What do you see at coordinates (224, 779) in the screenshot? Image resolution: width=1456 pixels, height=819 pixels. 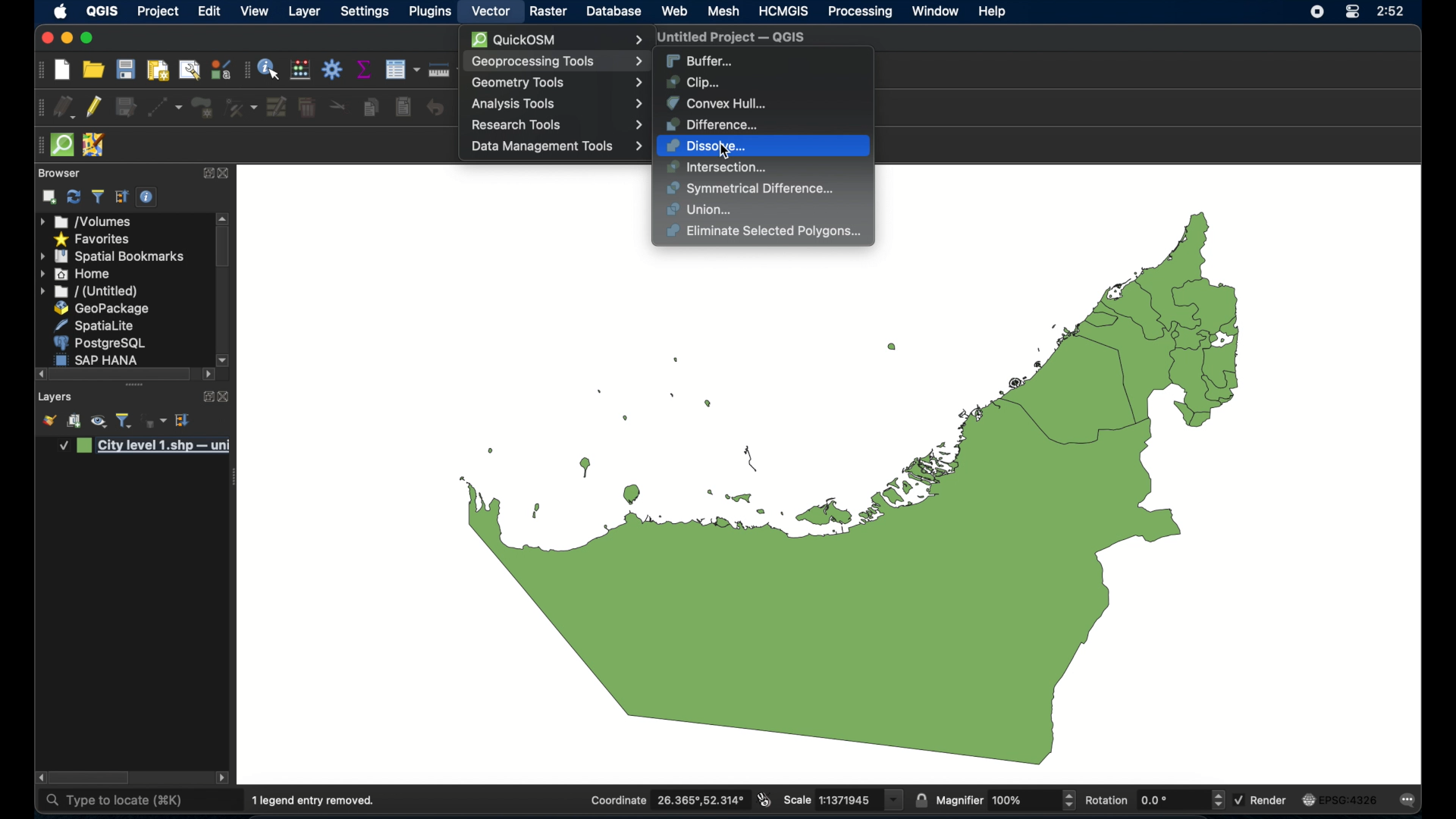 I see `scroll left arrow` at bounding box center [224, 779].